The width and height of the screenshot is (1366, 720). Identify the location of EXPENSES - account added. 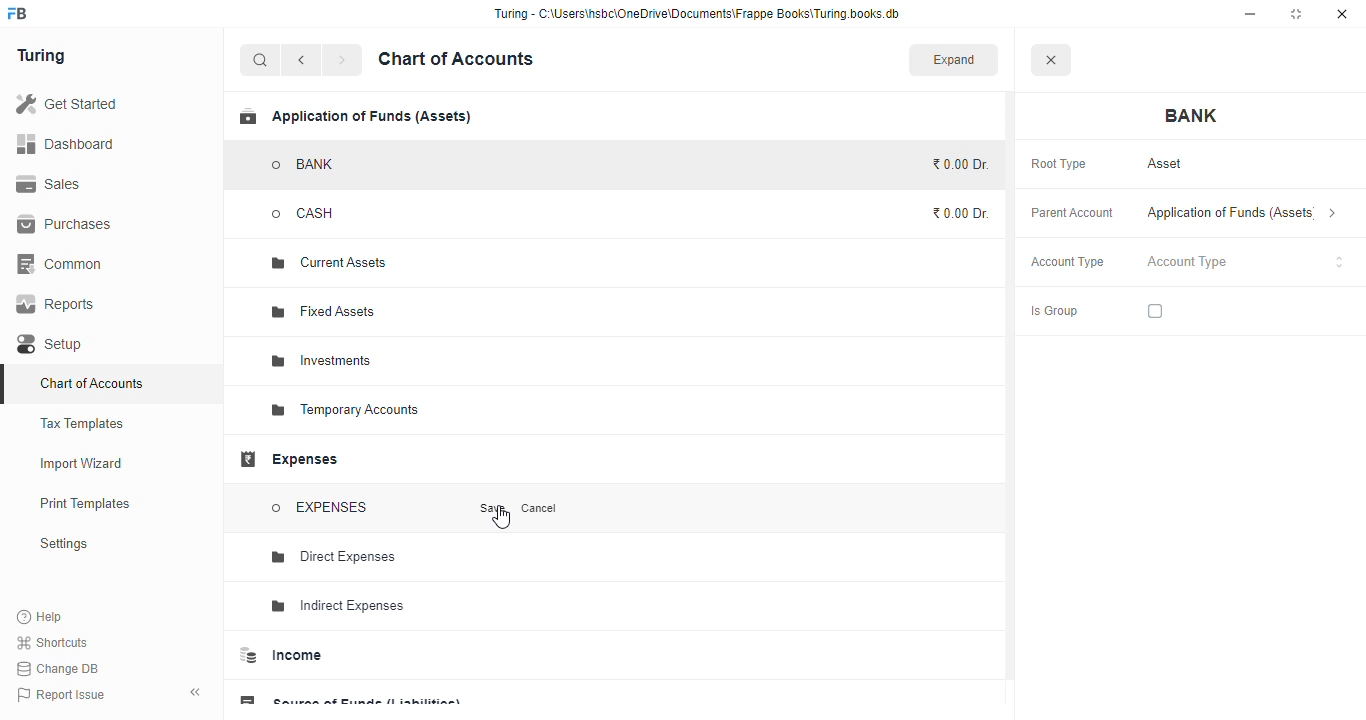
(320, 507).